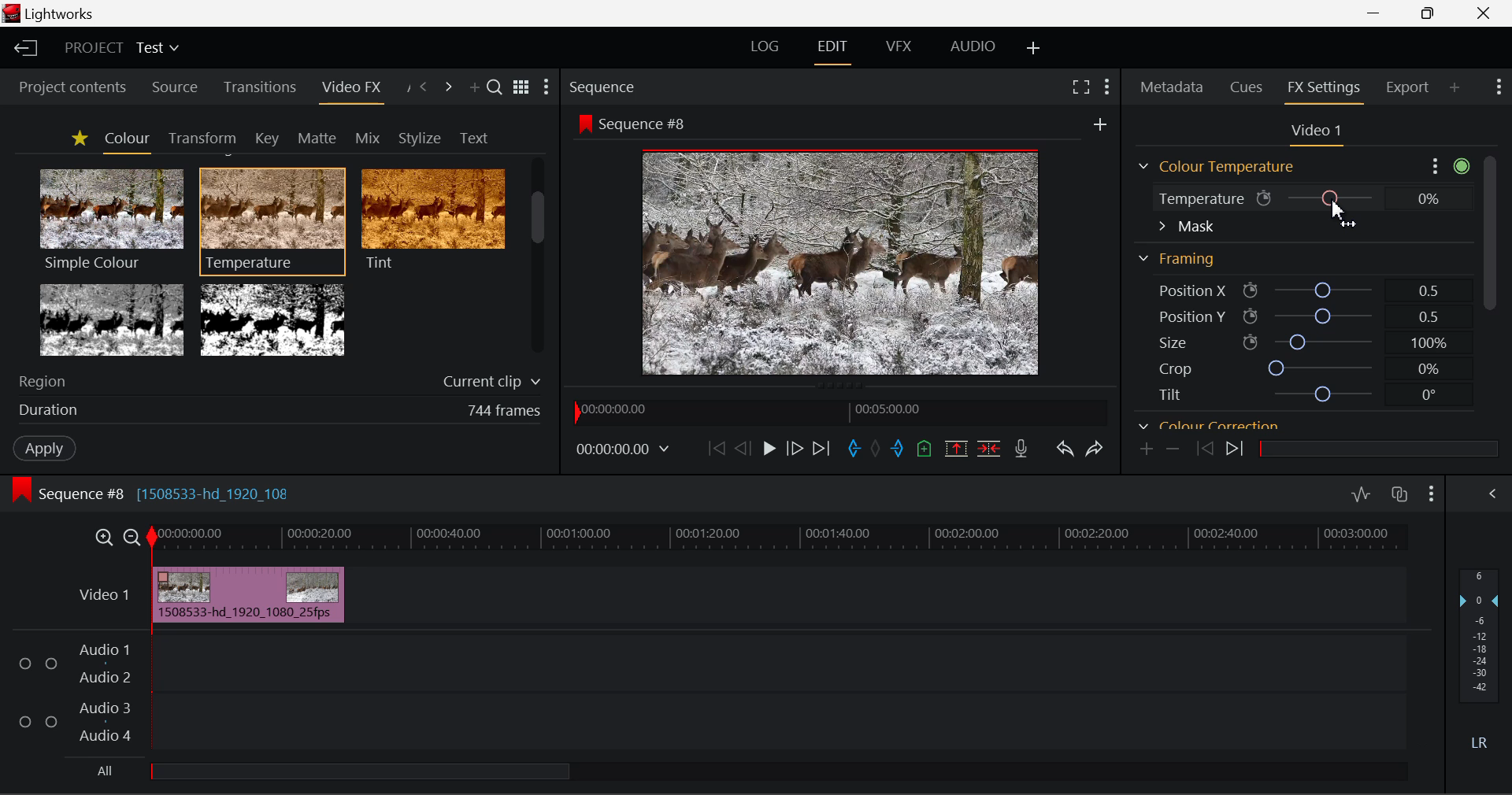 The height and width of the screenshot is (795, 1512). What do you see at coordinates (25, 720) in the screenshot?
I see `Checkbox` at bounding box center [25, 720].